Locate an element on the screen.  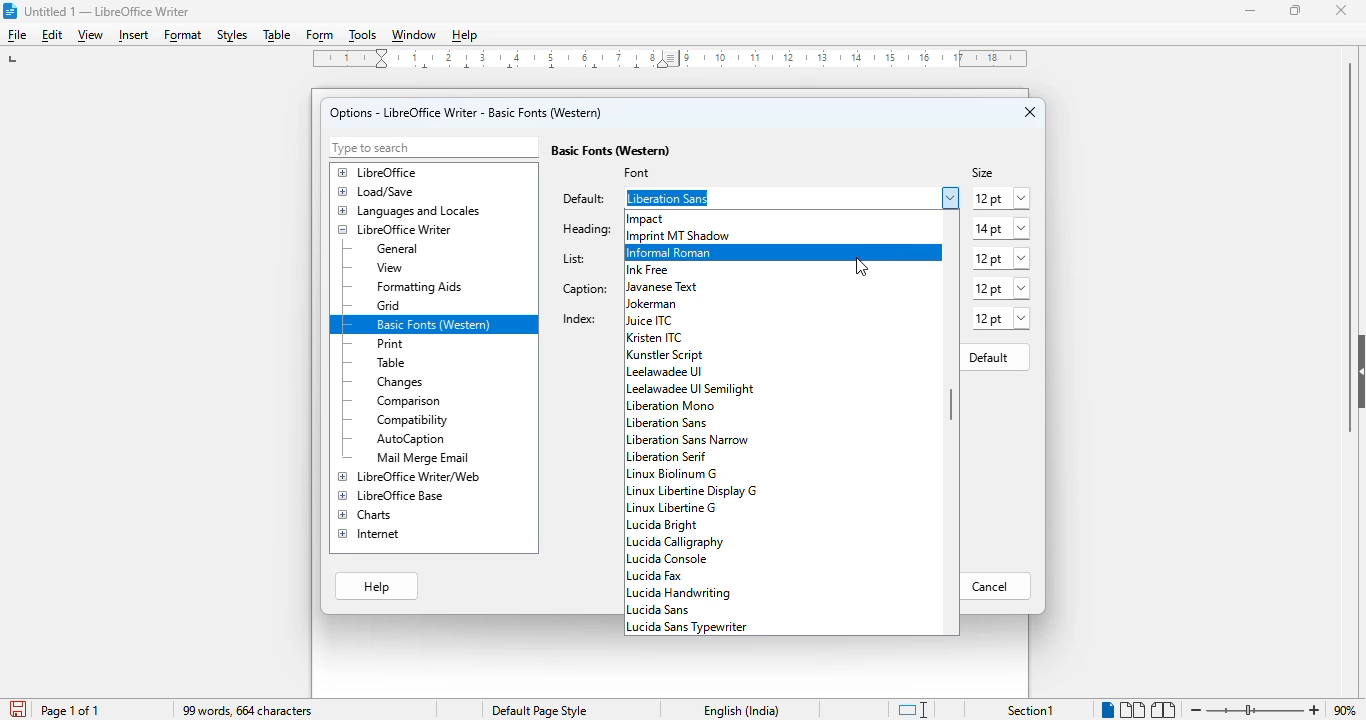
LibreOffice Writer is located at coordinates (395, 230).